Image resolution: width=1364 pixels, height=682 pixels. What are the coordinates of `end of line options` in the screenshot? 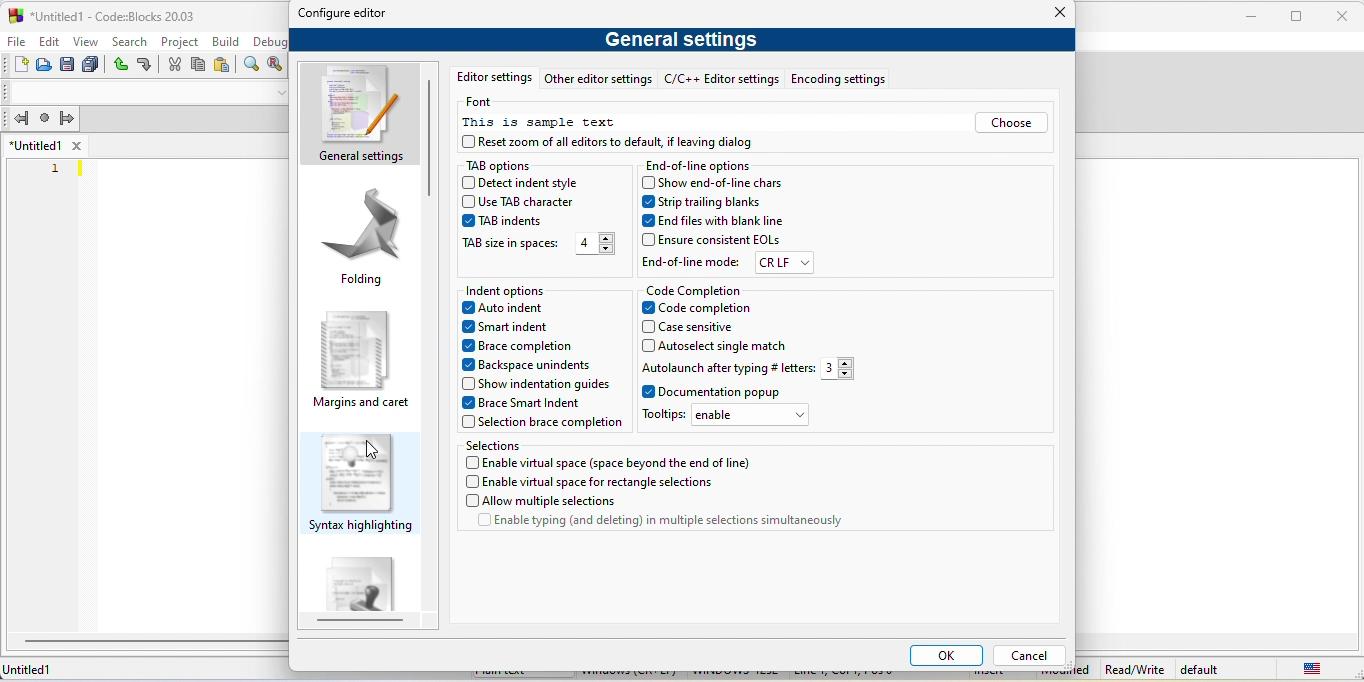 It's located at (703, 165).